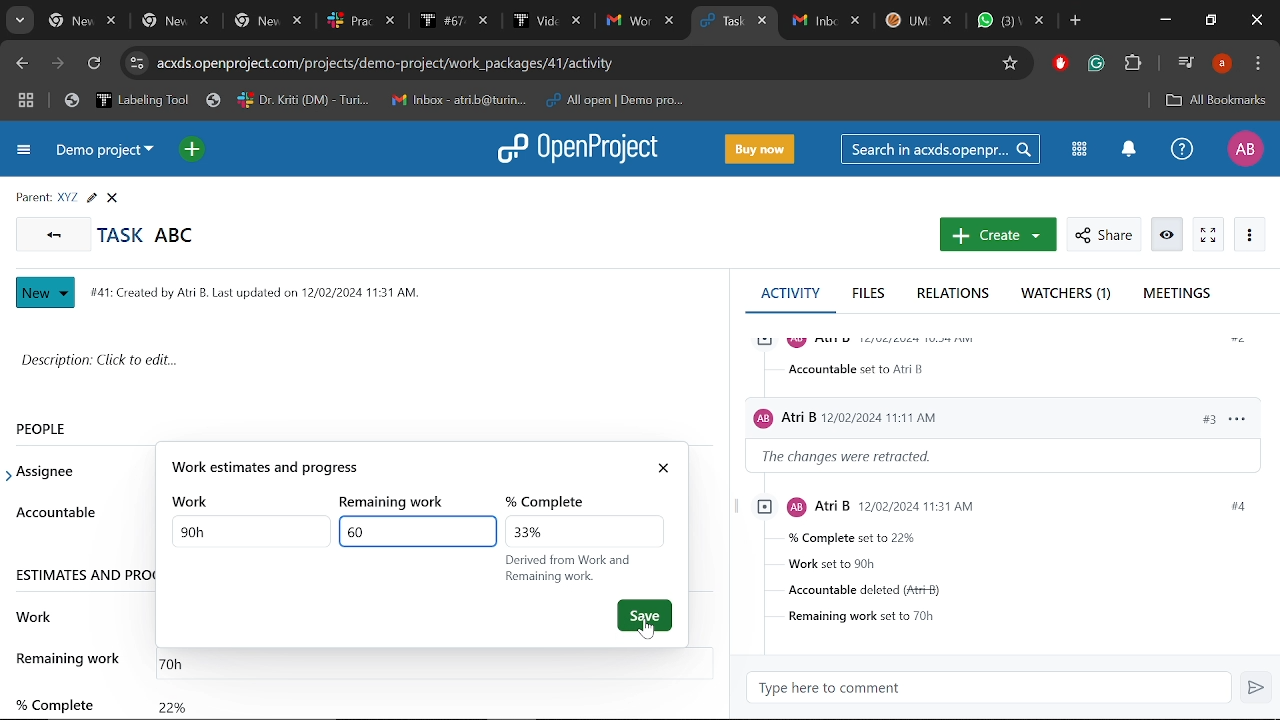  I want to click on Edit, so click(91, 198).